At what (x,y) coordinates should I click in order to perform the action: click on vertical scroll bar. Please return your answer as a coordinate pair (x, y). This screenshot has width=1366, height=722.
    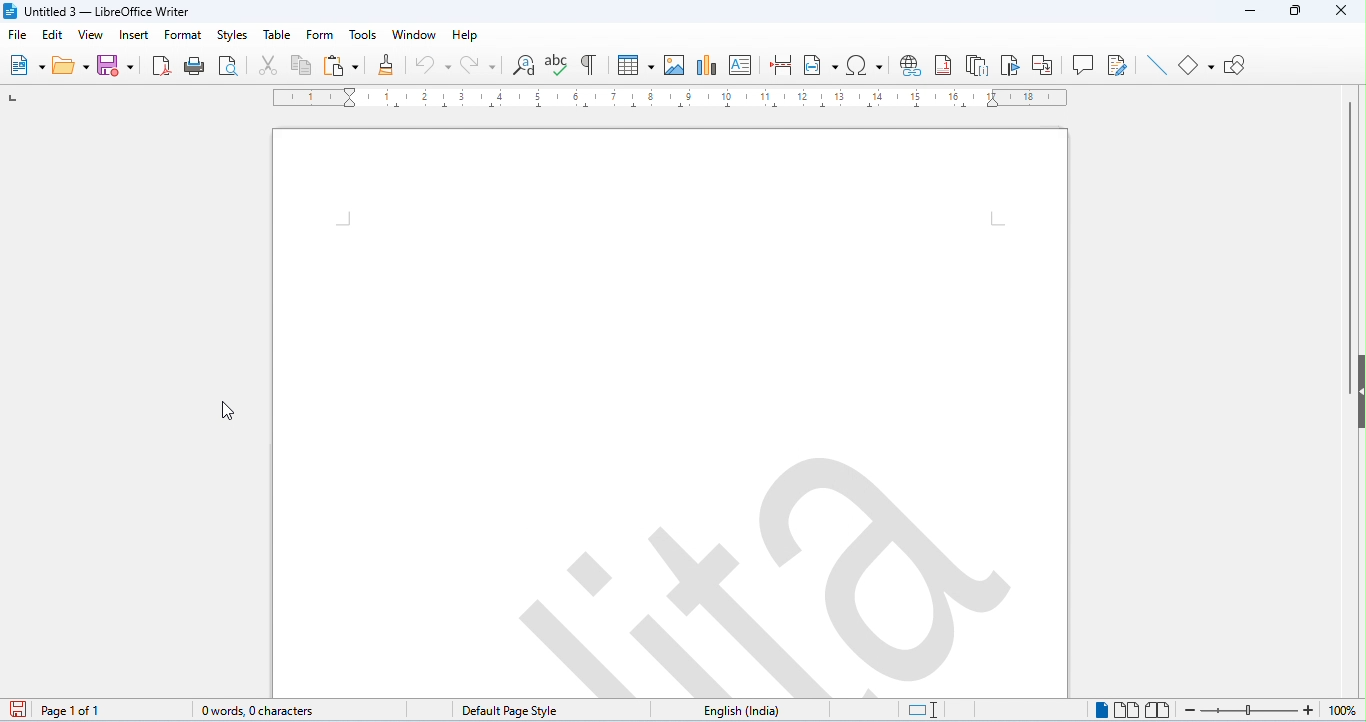
    Looking at the image, I should click on (1349, 247).